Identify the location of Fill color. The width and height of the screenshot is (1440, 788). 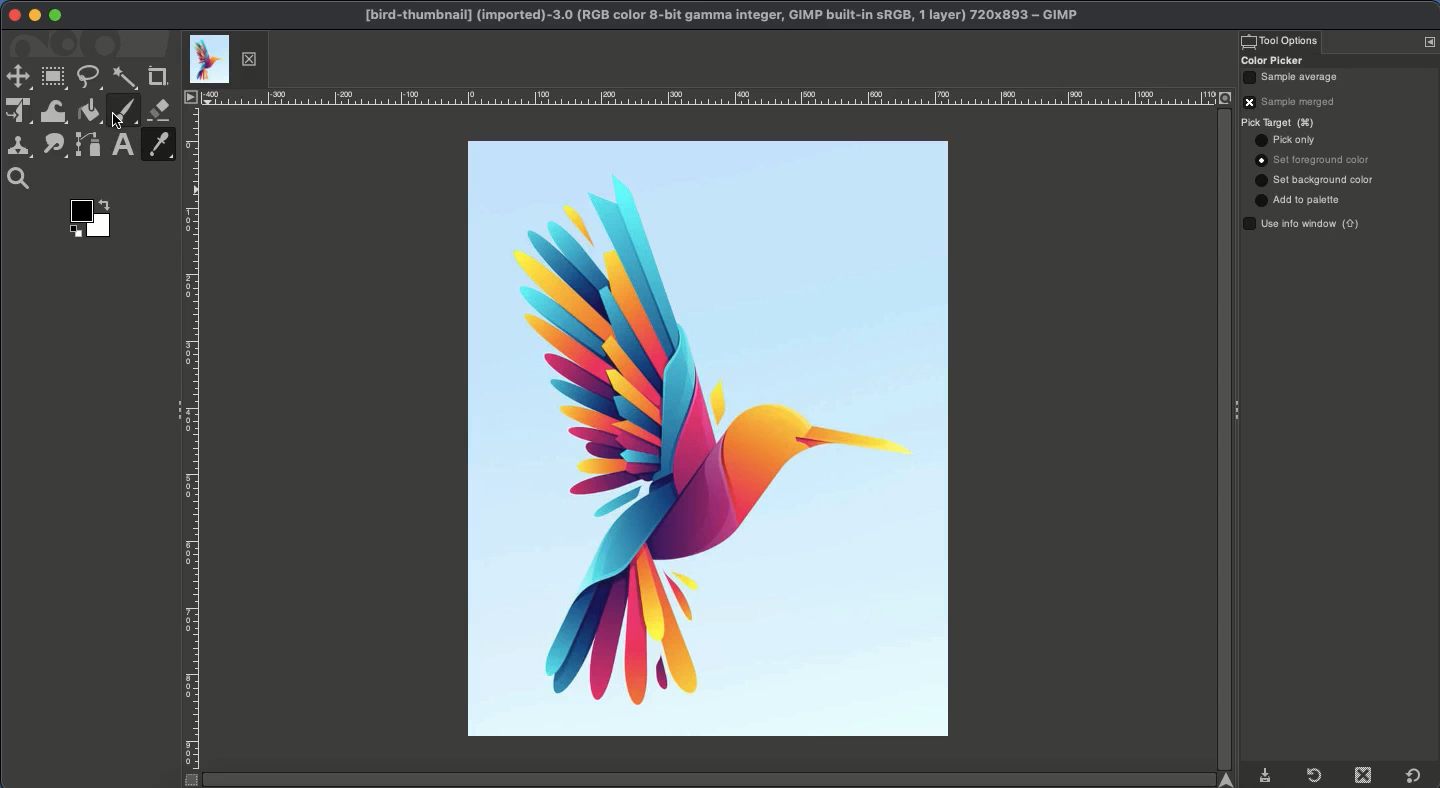
(89, 111).